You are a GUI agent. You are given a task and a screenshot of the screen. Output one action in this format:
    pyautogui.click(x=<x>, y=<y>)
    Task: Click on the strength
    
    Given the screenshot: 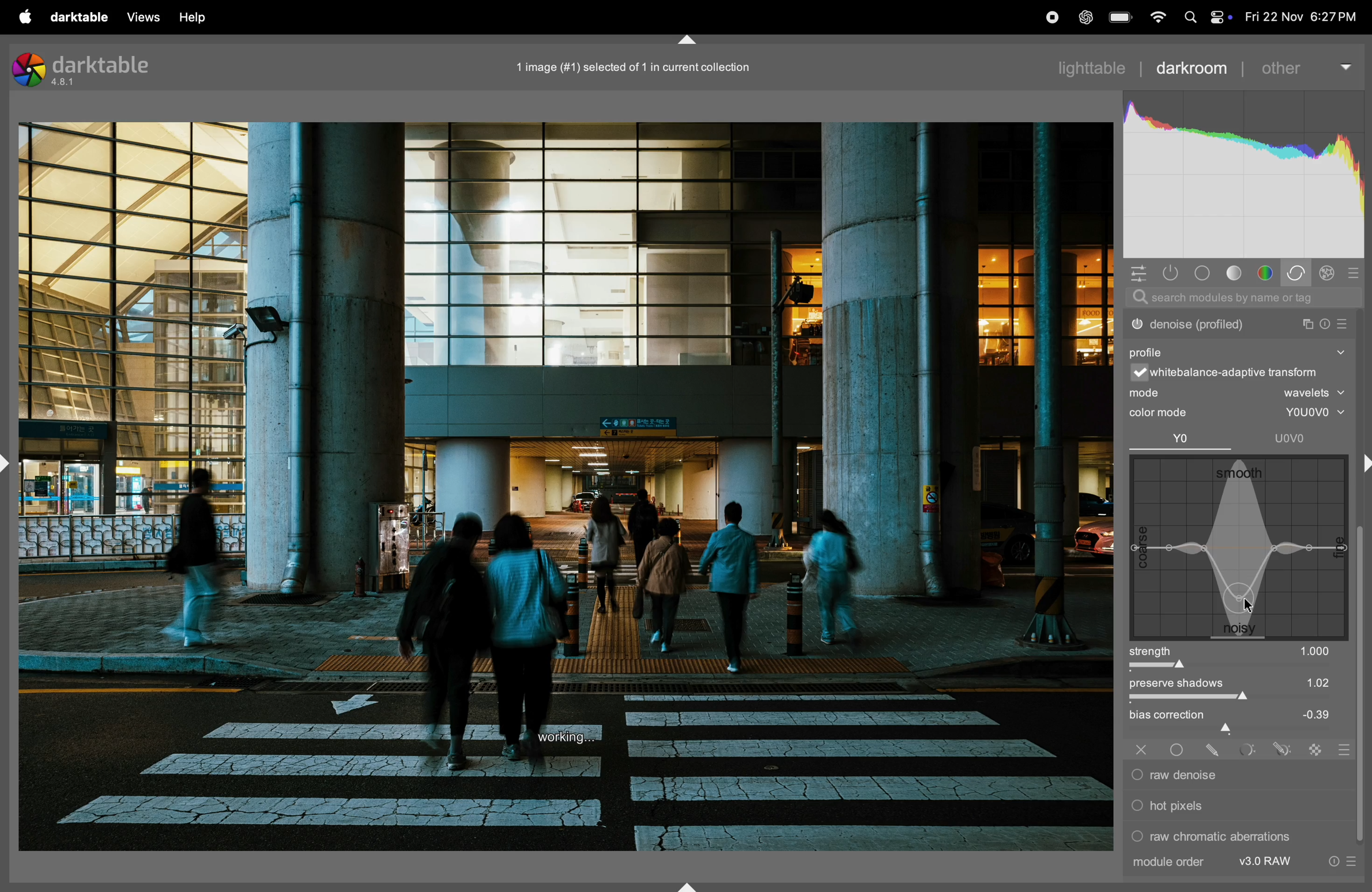 What is the action you would take?
    pyautogui.click(x=1241, y=657)
    